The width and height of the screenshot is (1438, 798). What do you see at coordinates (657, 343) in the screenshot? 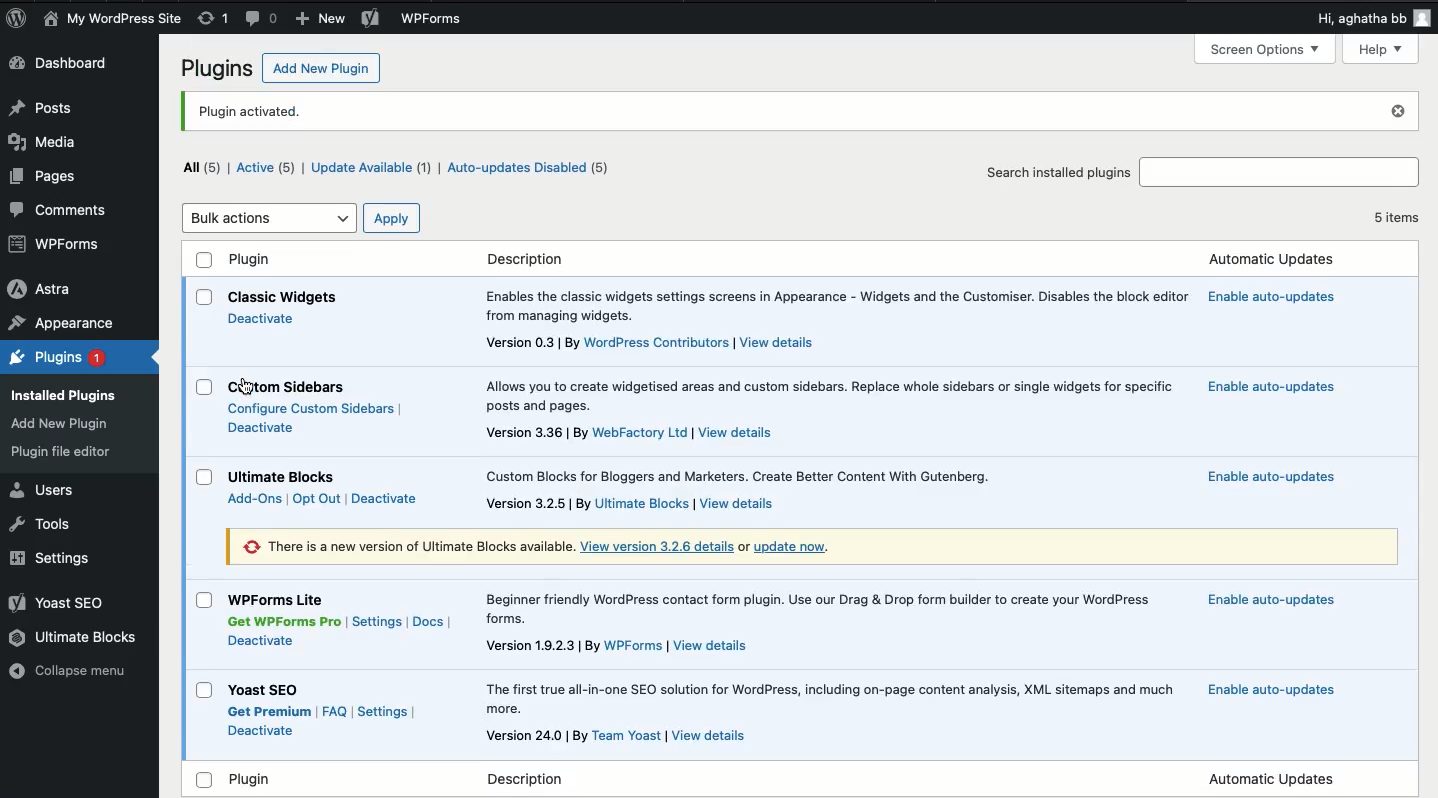
I see `wordpress` at bounding box center [657, 343].